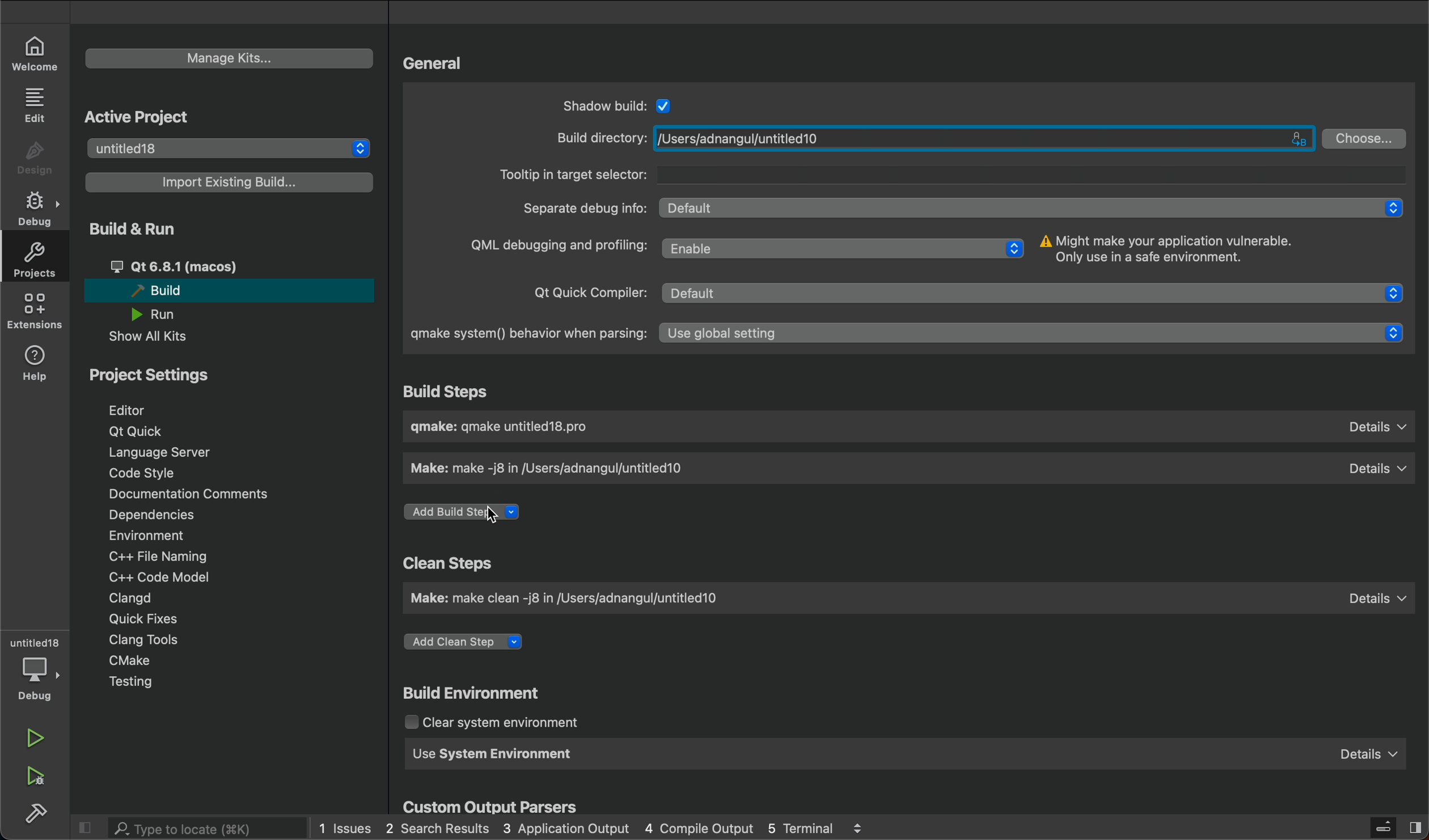 Image resolution: width=1429 pixels, height=840 pixels. Describe the element at coordinates (150, 336) in the screenshot. I see `Show All Kits` at that location.